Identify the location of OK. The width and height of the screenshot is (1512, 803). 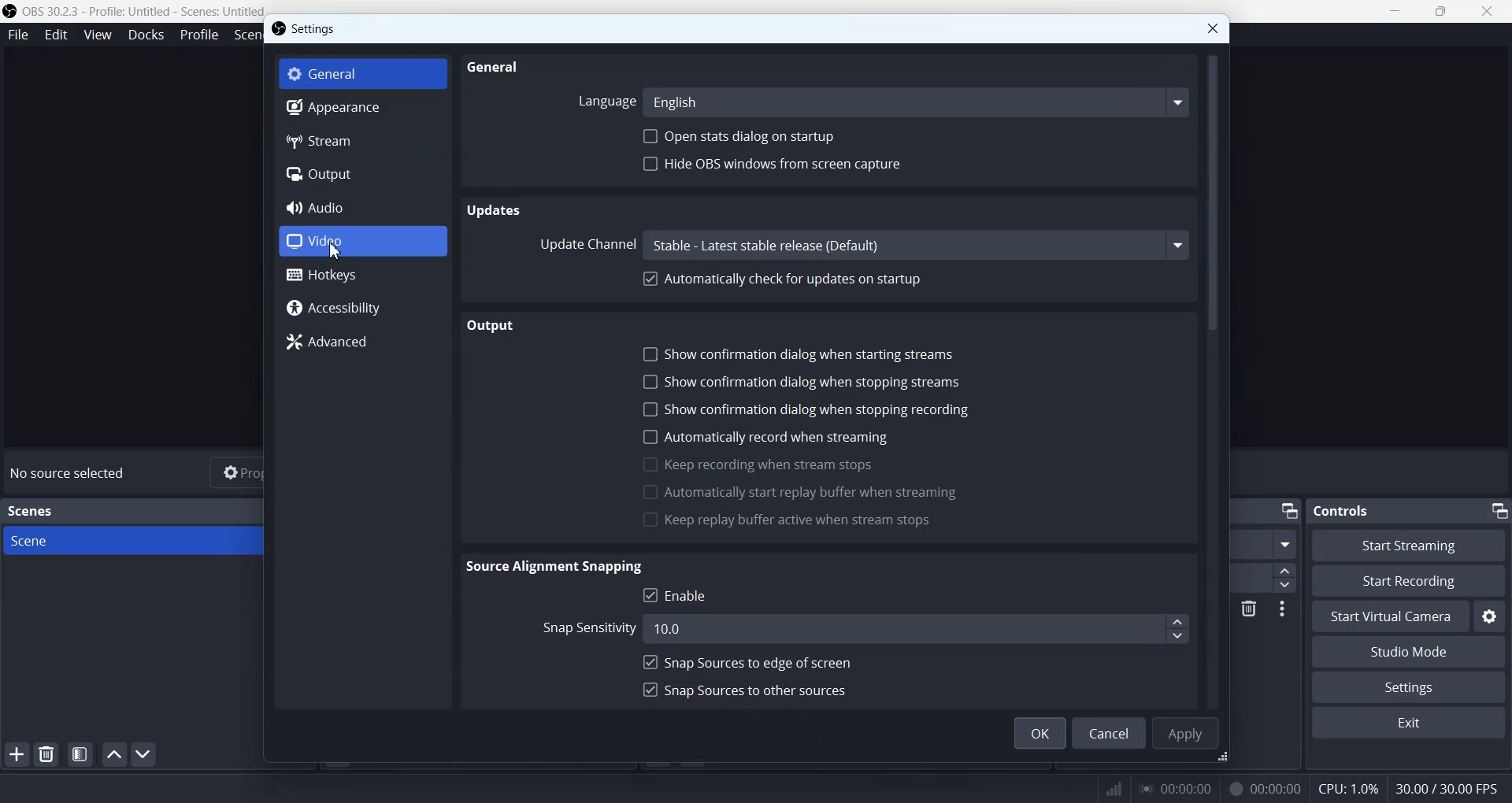
(1039, 733).